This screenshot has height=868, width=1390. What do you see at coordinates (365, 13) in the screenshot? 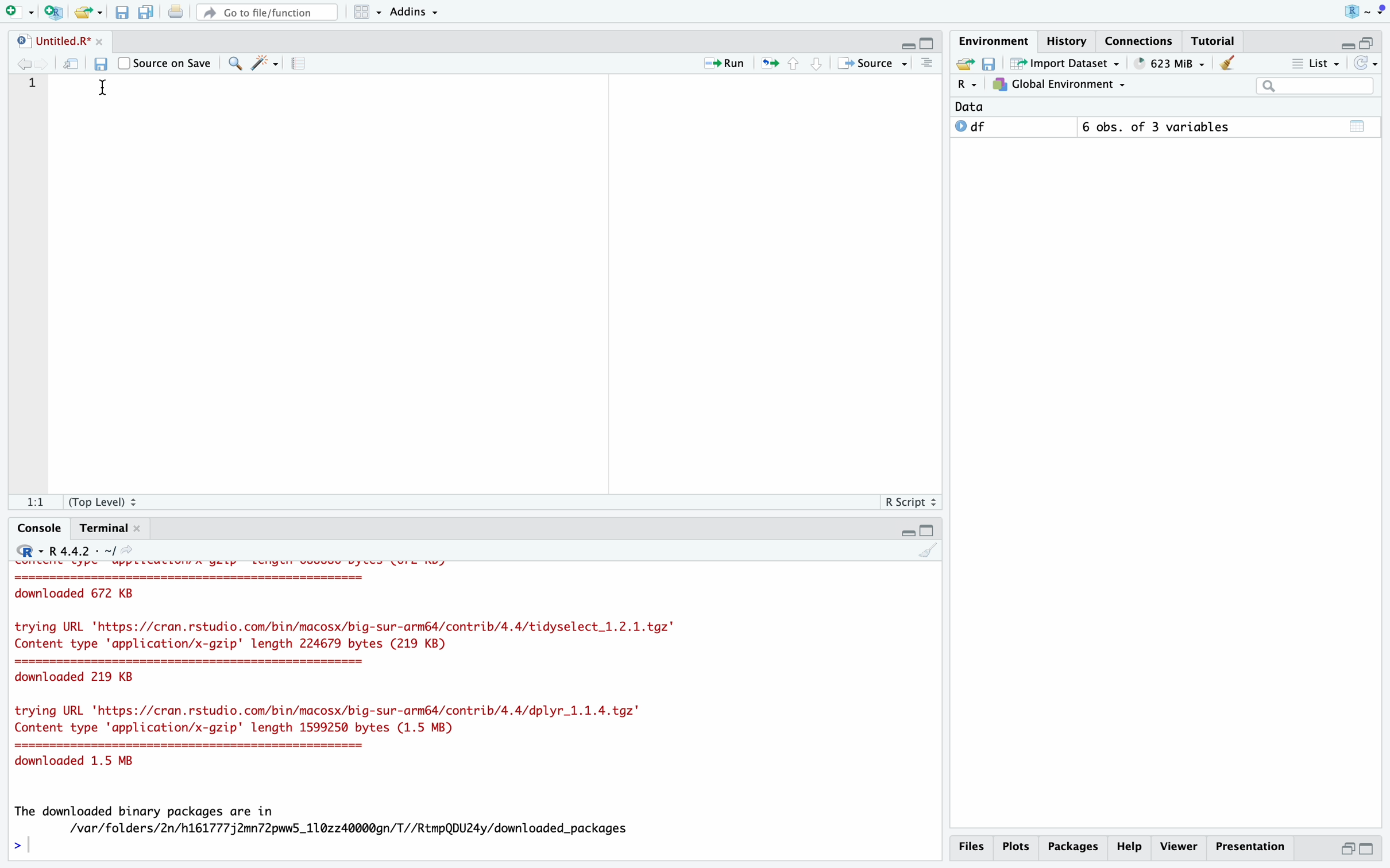
I see `Workspace panes` at bounding box center [365, 13].